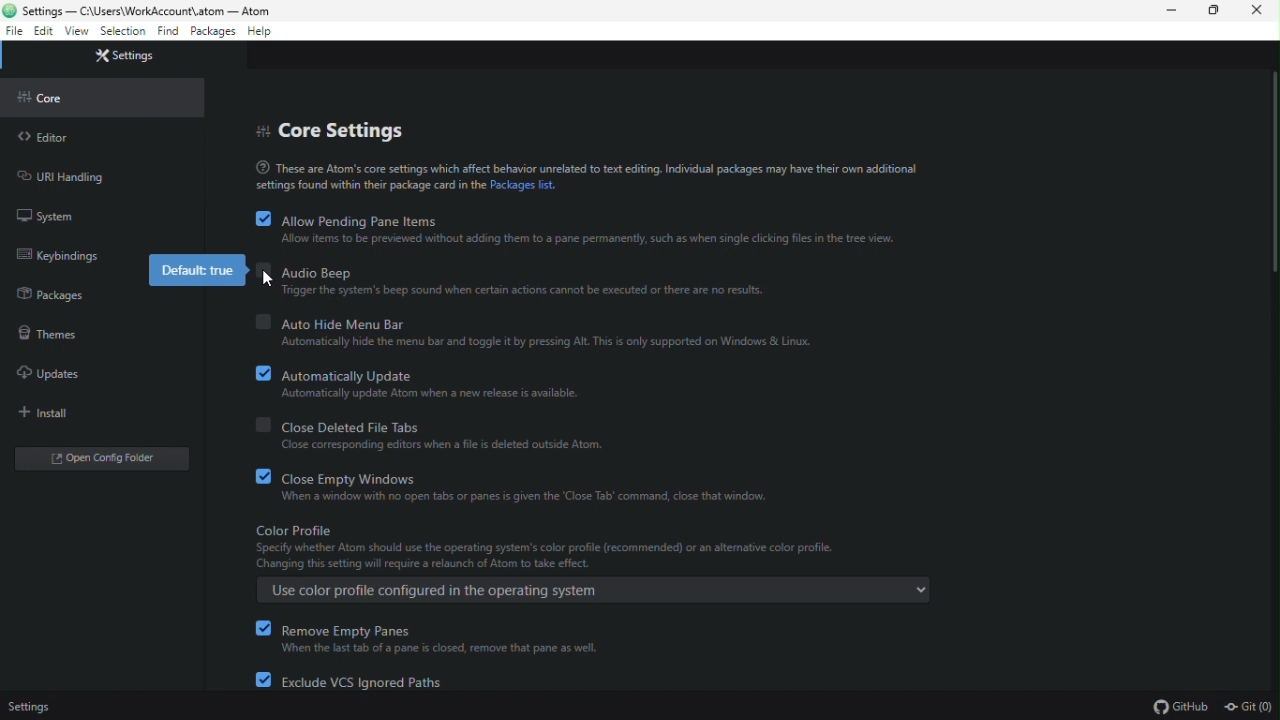 The height and width of the screenshot is (720, 1280). Describe the element at coordinates (570, 176) in the screenshot. I see `These are Atom's core settings which affect behavior unrelated to text editing. Individual packages may have their own additional settings found within their package card in the Packages list.` at that location.